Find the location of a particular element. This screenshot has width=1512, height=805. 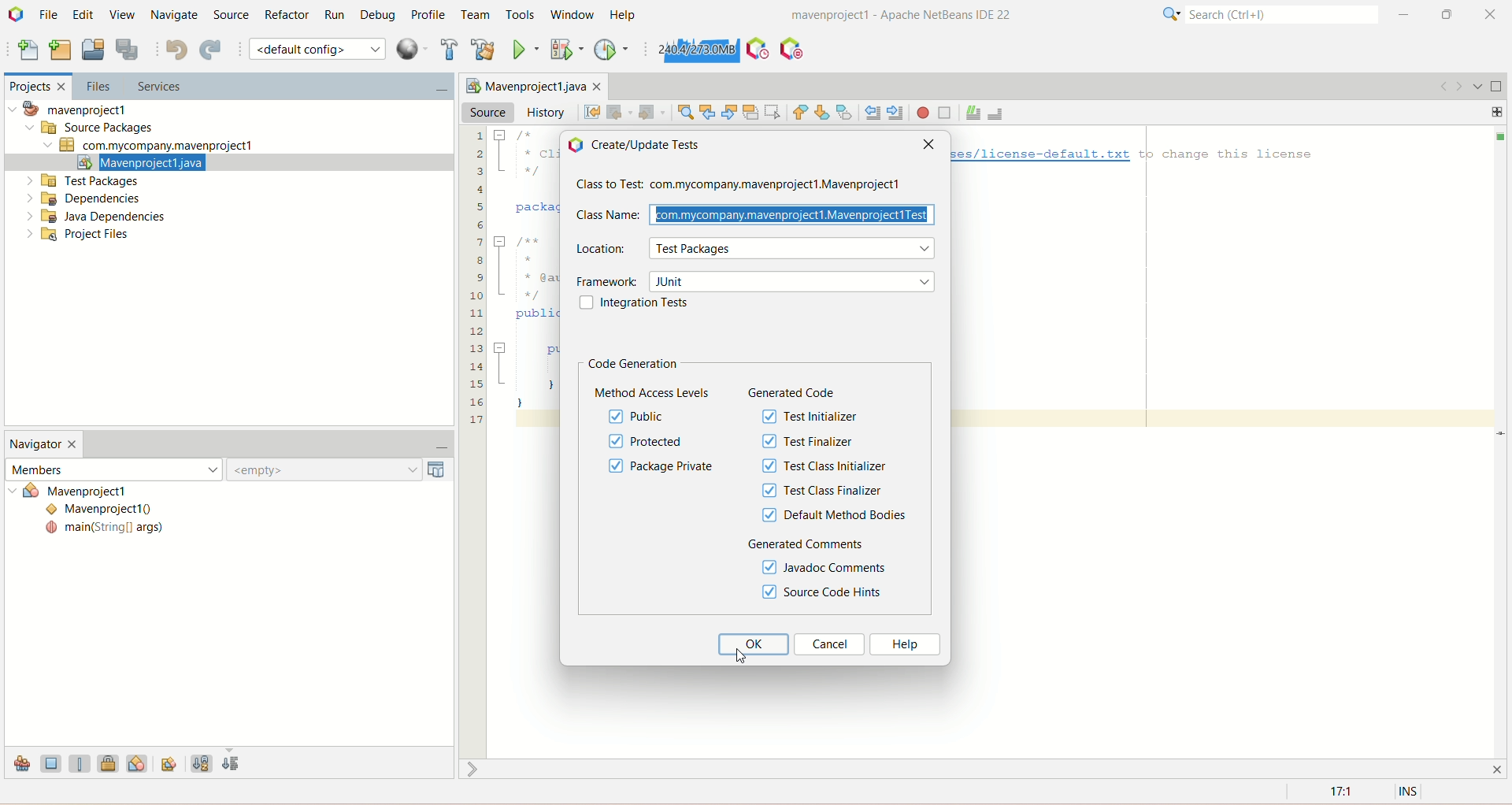

toggle highlight search is located at coordinates (750, 113).